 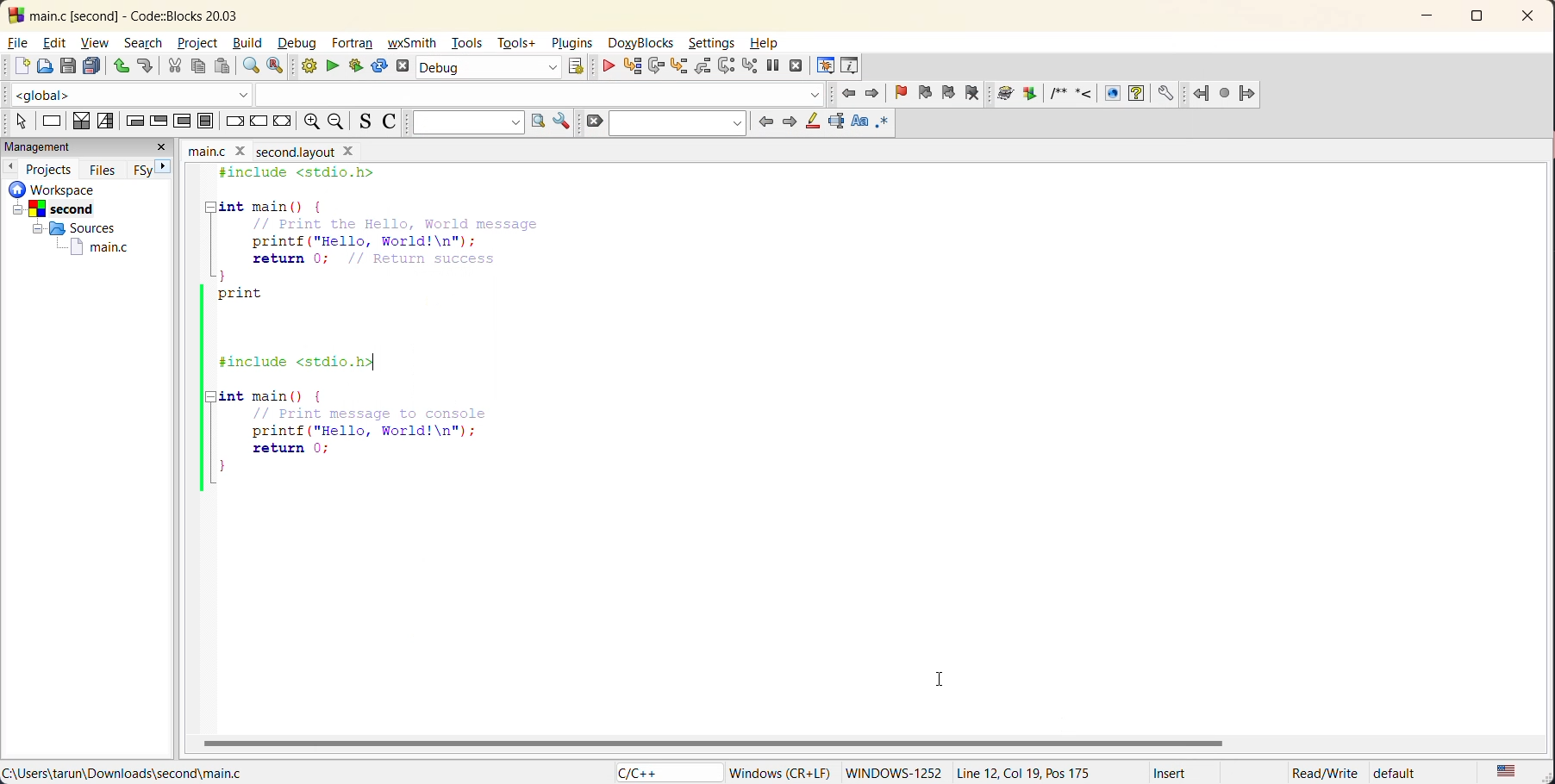 What do you see at coordinates (596, 121) in the screenshot?
I see `clear` at bounding box center [596, 121].